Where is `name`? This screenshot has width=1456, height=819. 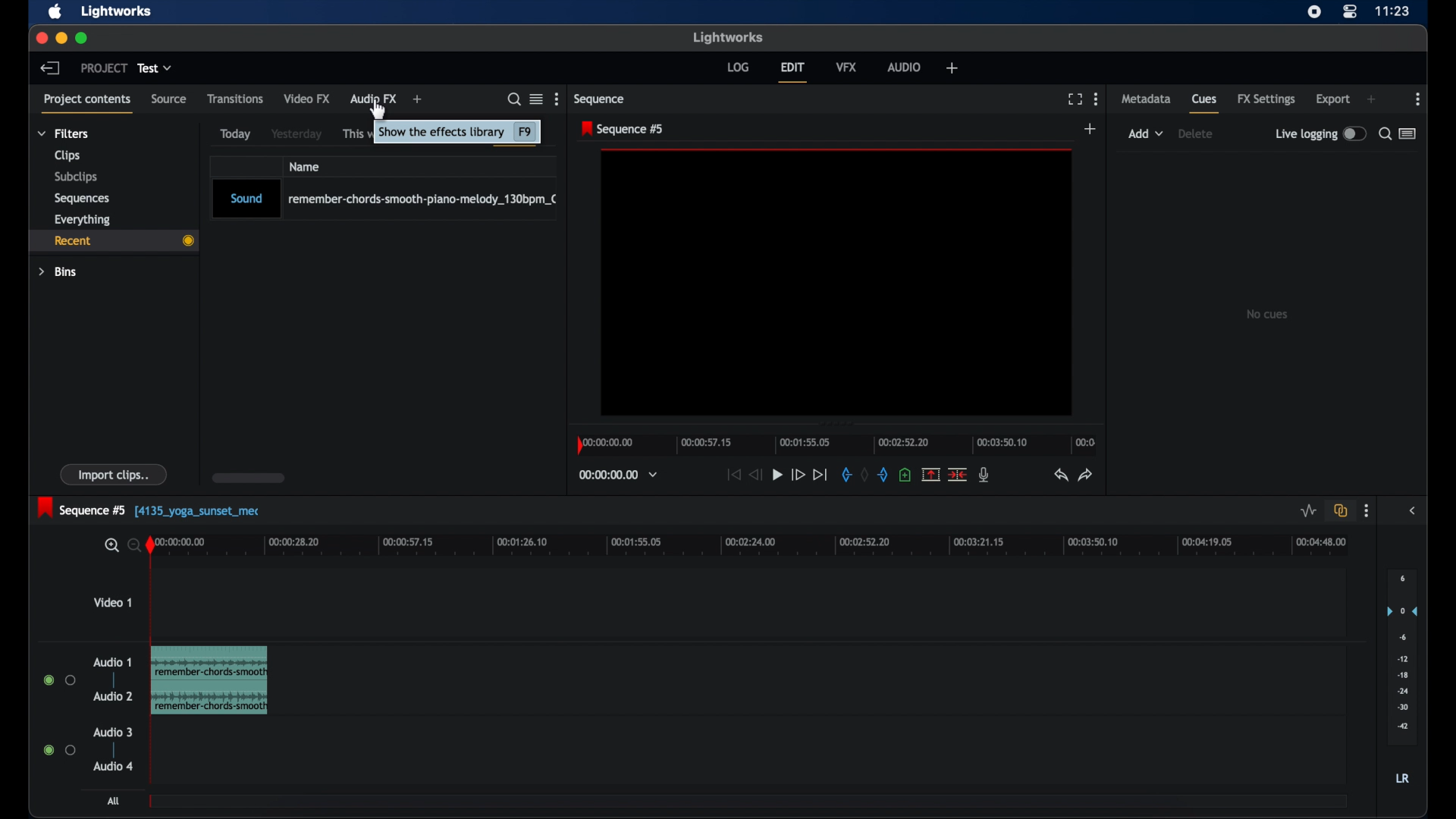 name is located at coordinates (304, 166).